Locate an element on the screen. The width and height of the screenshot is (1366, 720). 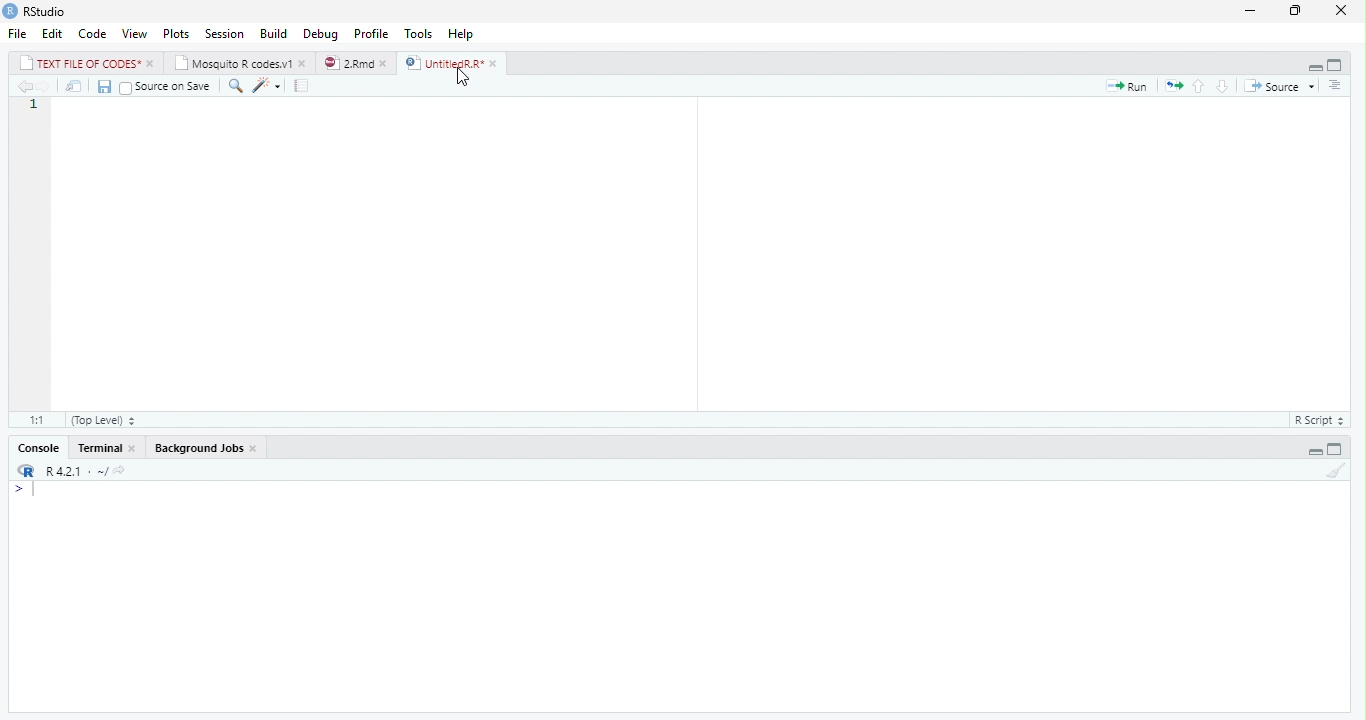
Console is located at coordinates (37, 448).